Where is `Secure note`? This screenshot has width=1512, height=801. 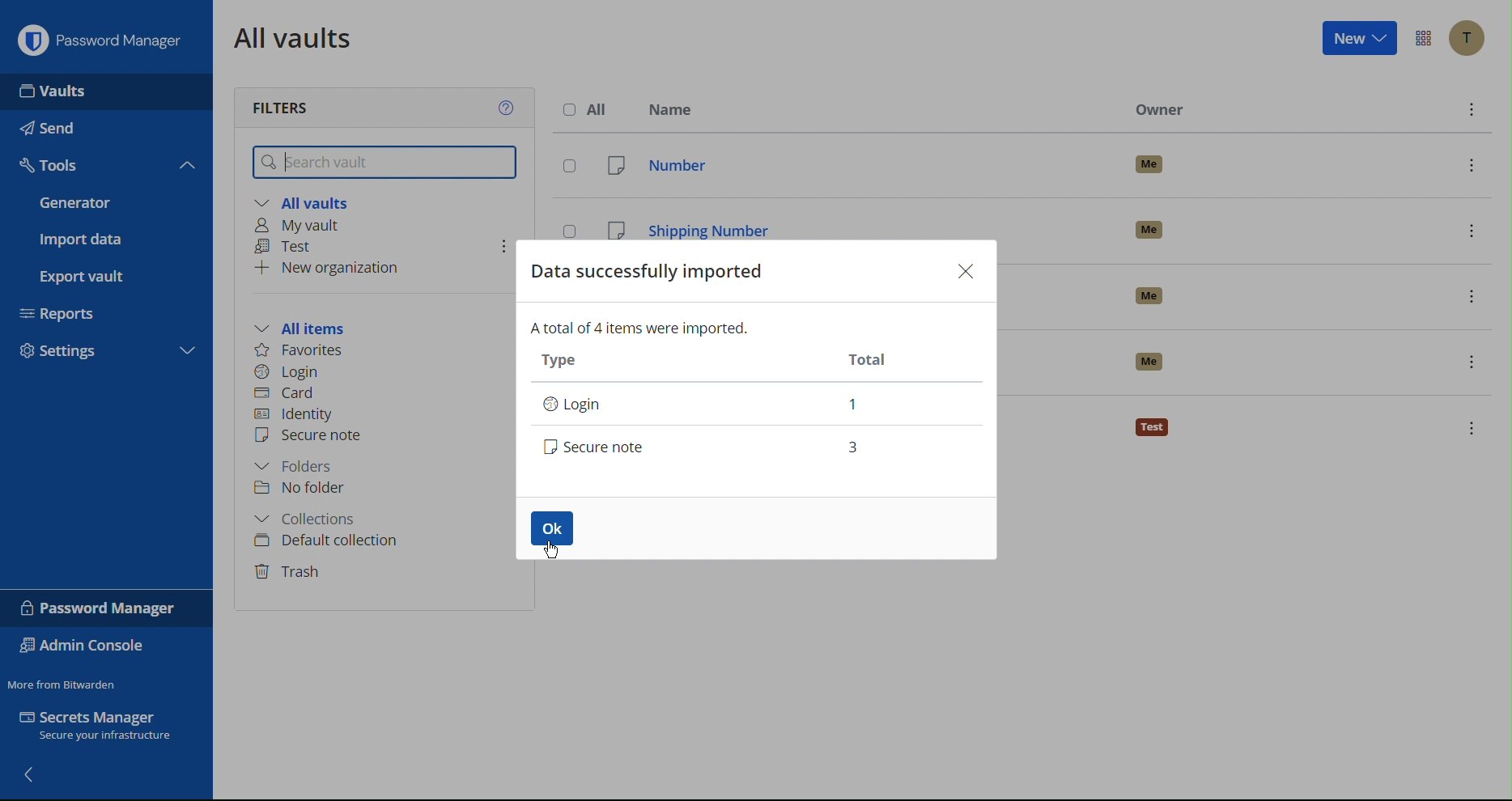 Secure note is located at coordinates (312, 434).